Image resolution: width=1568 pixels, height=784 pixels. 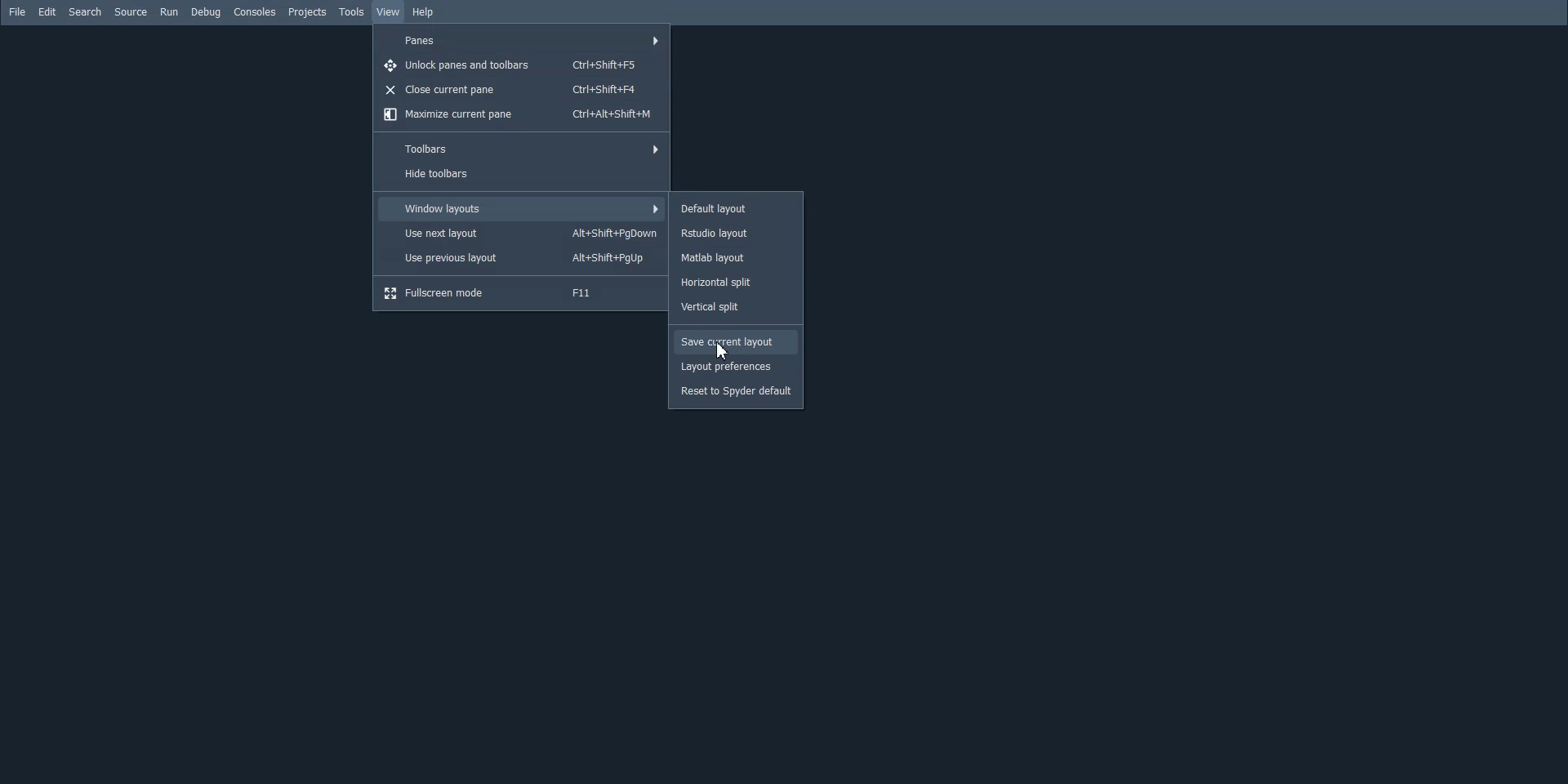 I want to click on Fullscreen mode, so click(x=519, y=292).